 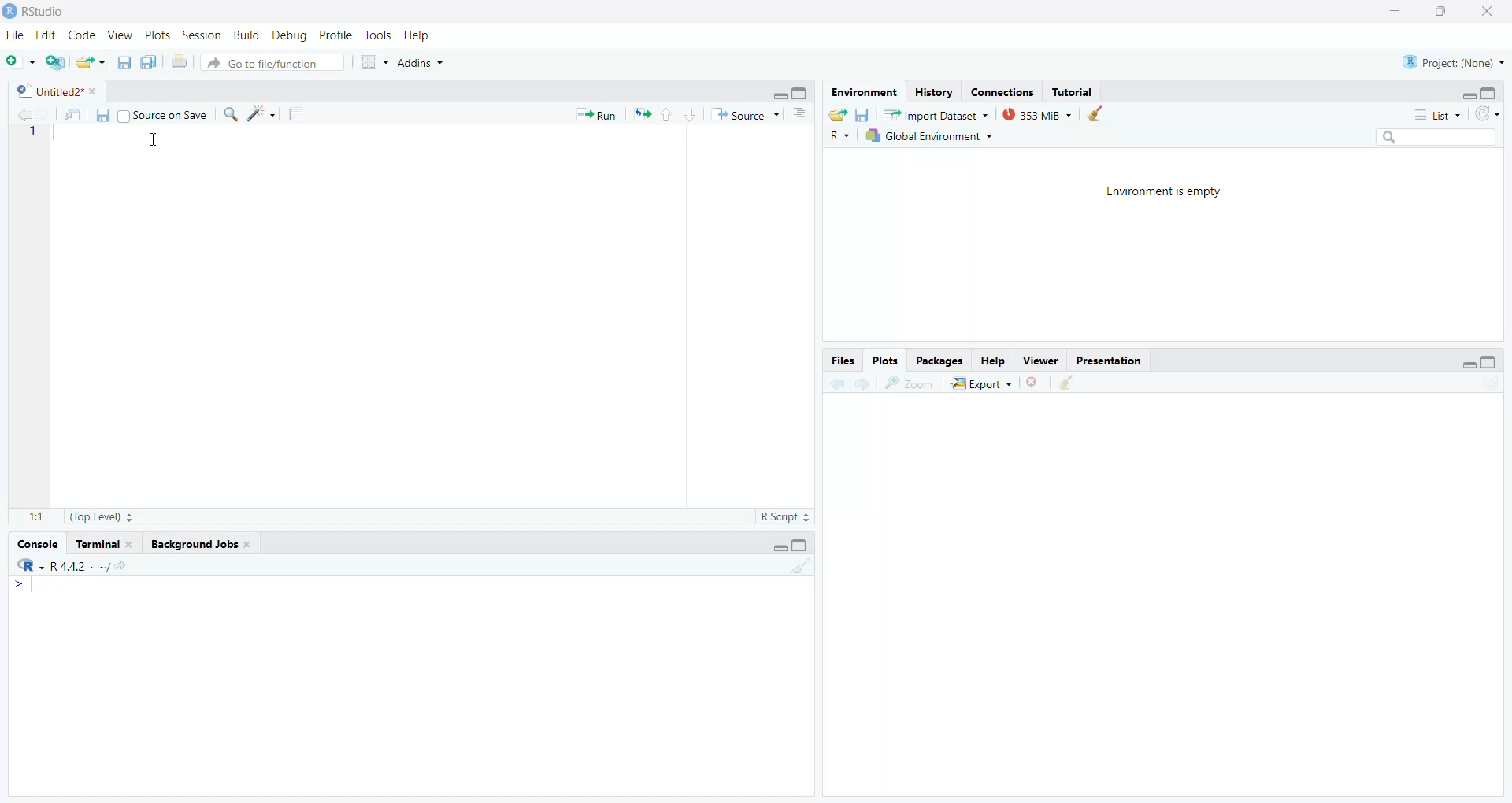 I want to click on clear console, so click(x=802, y=569).